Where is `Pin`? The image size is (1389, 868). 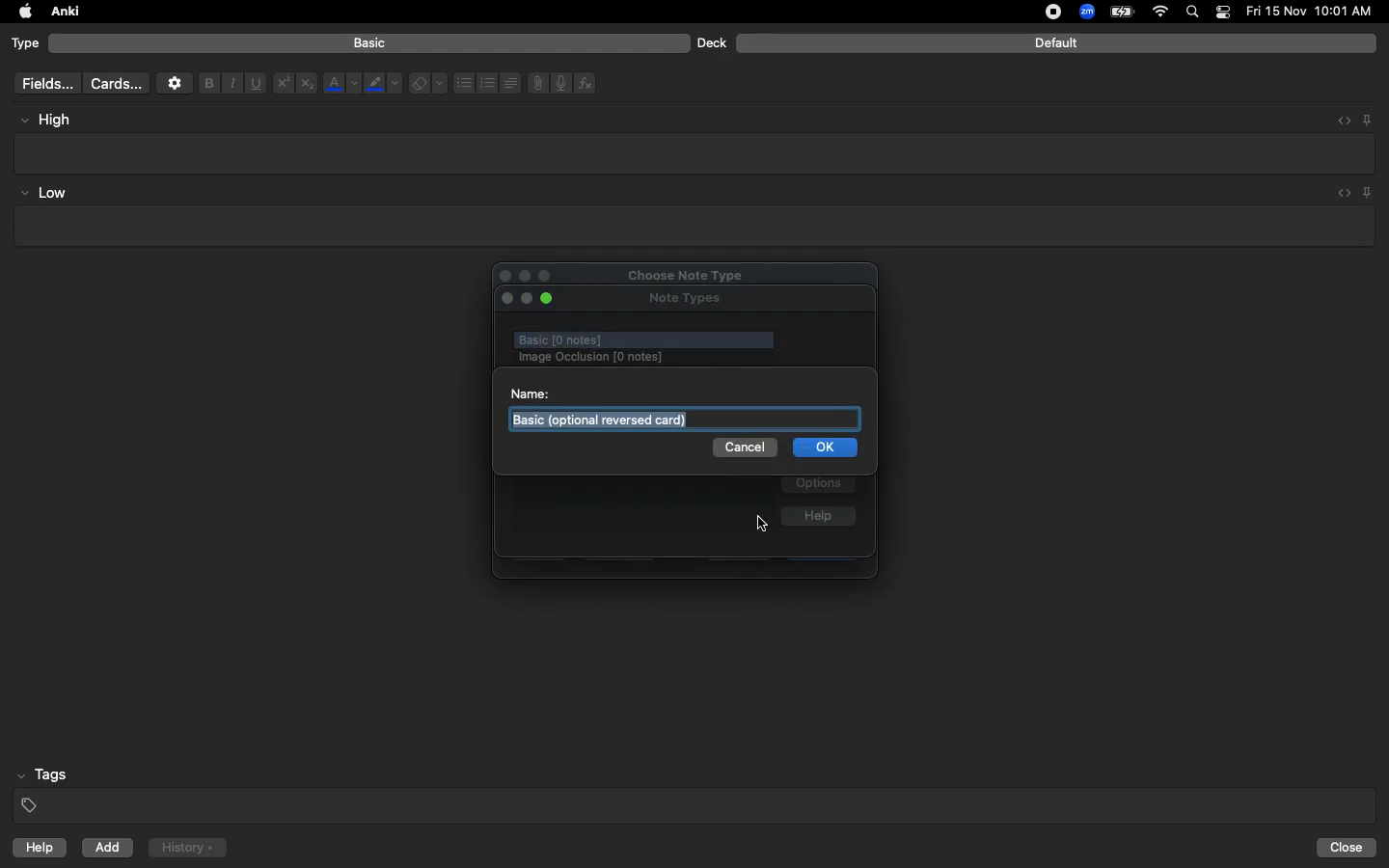 Pin is located at coordinates (1367, 119).